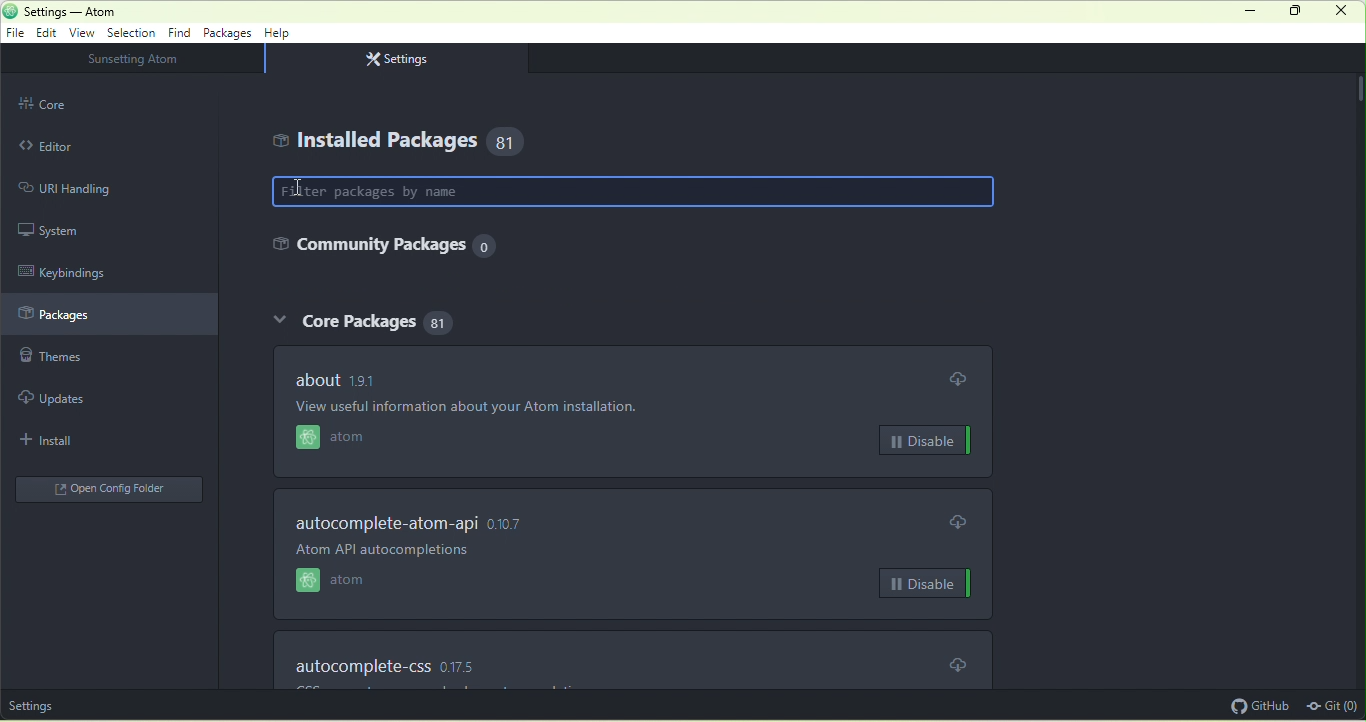  I want to click on about 19.1, so click(335, 378).